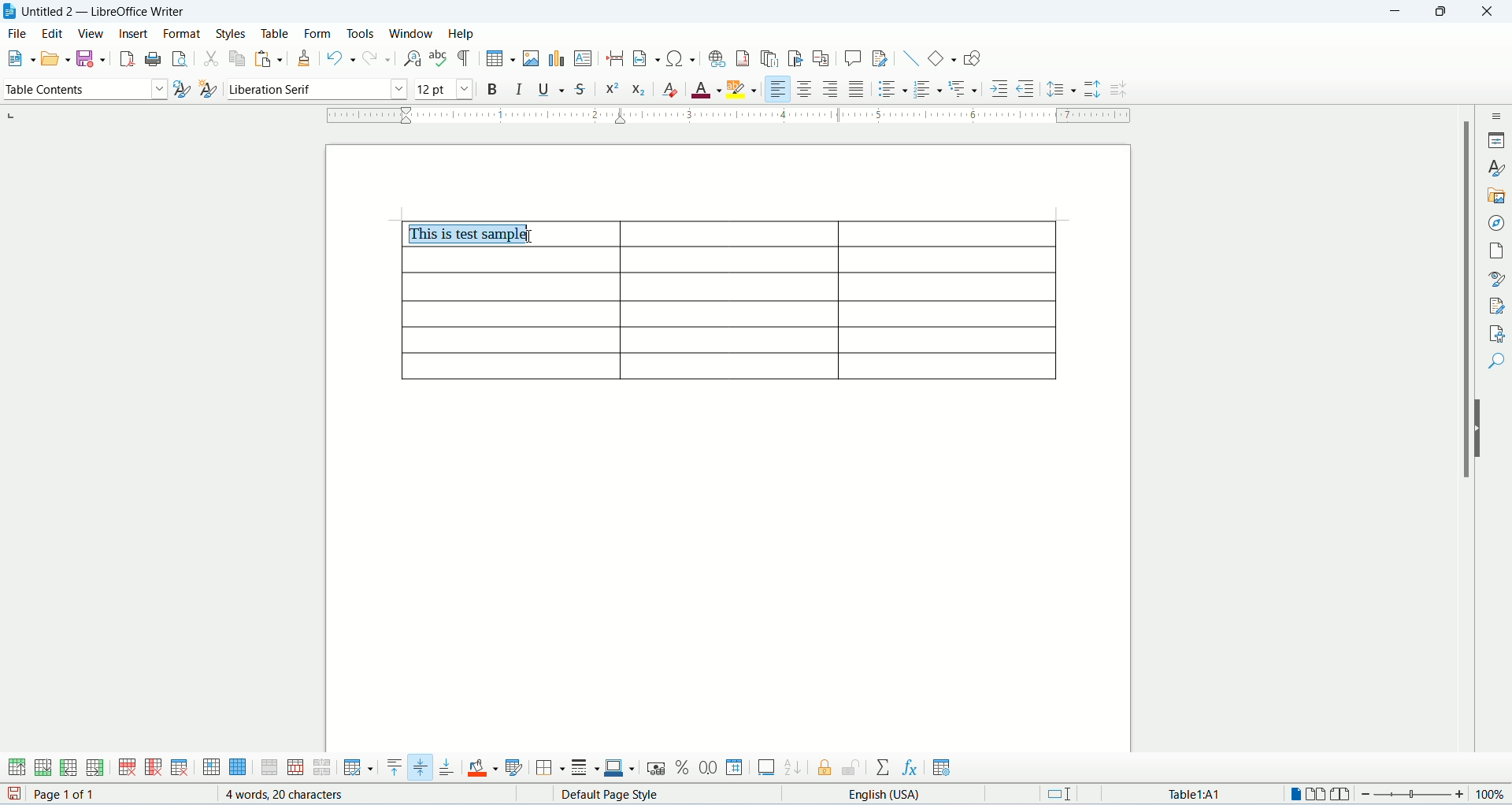 The image size is (1512, 805). I want to click on unordered list, so click(893, 88).